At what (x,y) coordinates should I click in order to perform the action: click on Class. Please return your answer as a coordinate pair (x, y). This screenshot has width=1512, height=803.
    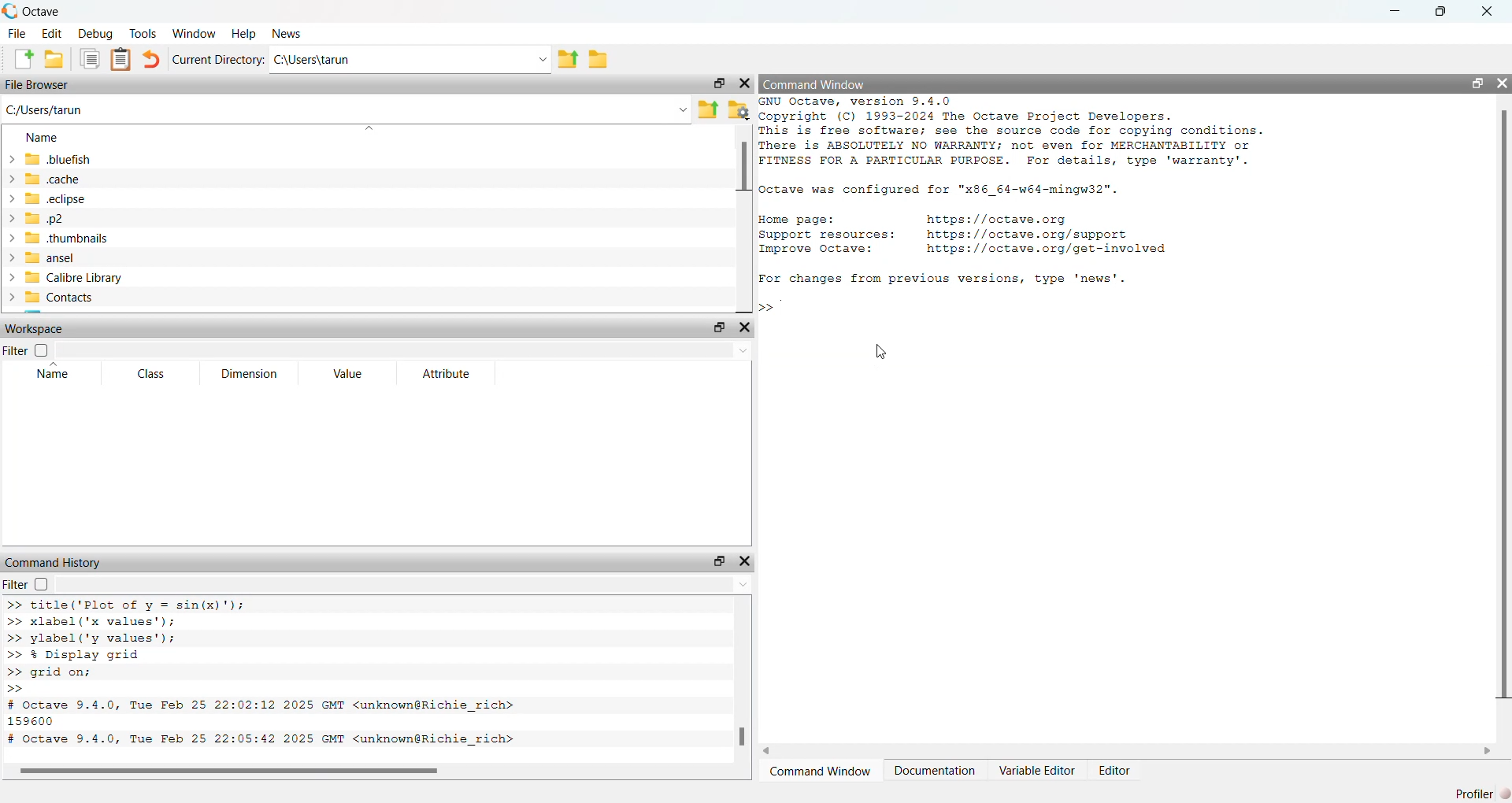
    Looking at the image, I should click on (151, 373).